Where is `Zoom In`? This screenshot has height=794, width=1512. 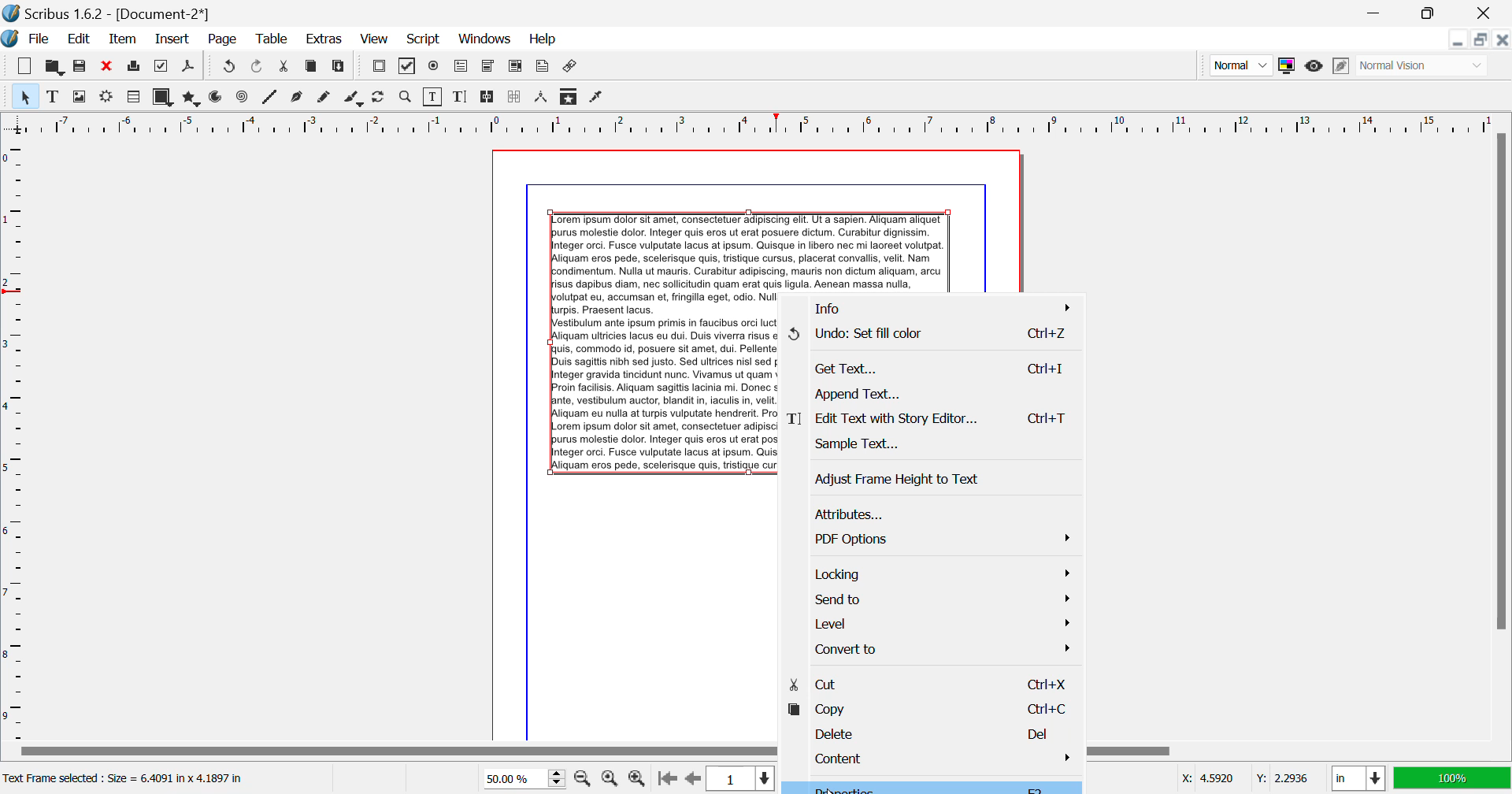
Zoom In is located at coordinates (638, 779).